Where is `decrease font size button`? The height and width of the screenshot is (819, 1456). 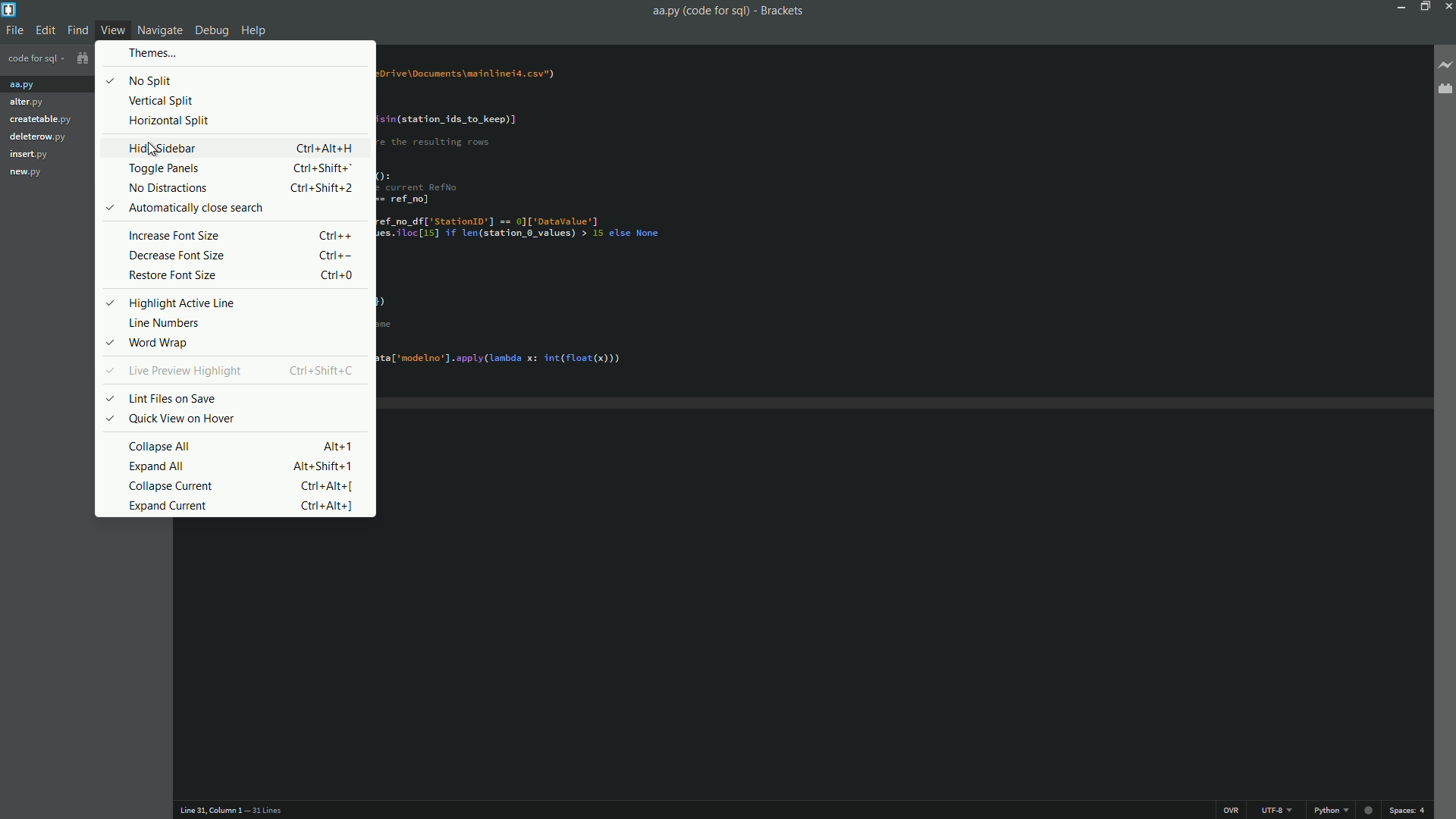 decrease font size button is located at coordinates (174, 256).